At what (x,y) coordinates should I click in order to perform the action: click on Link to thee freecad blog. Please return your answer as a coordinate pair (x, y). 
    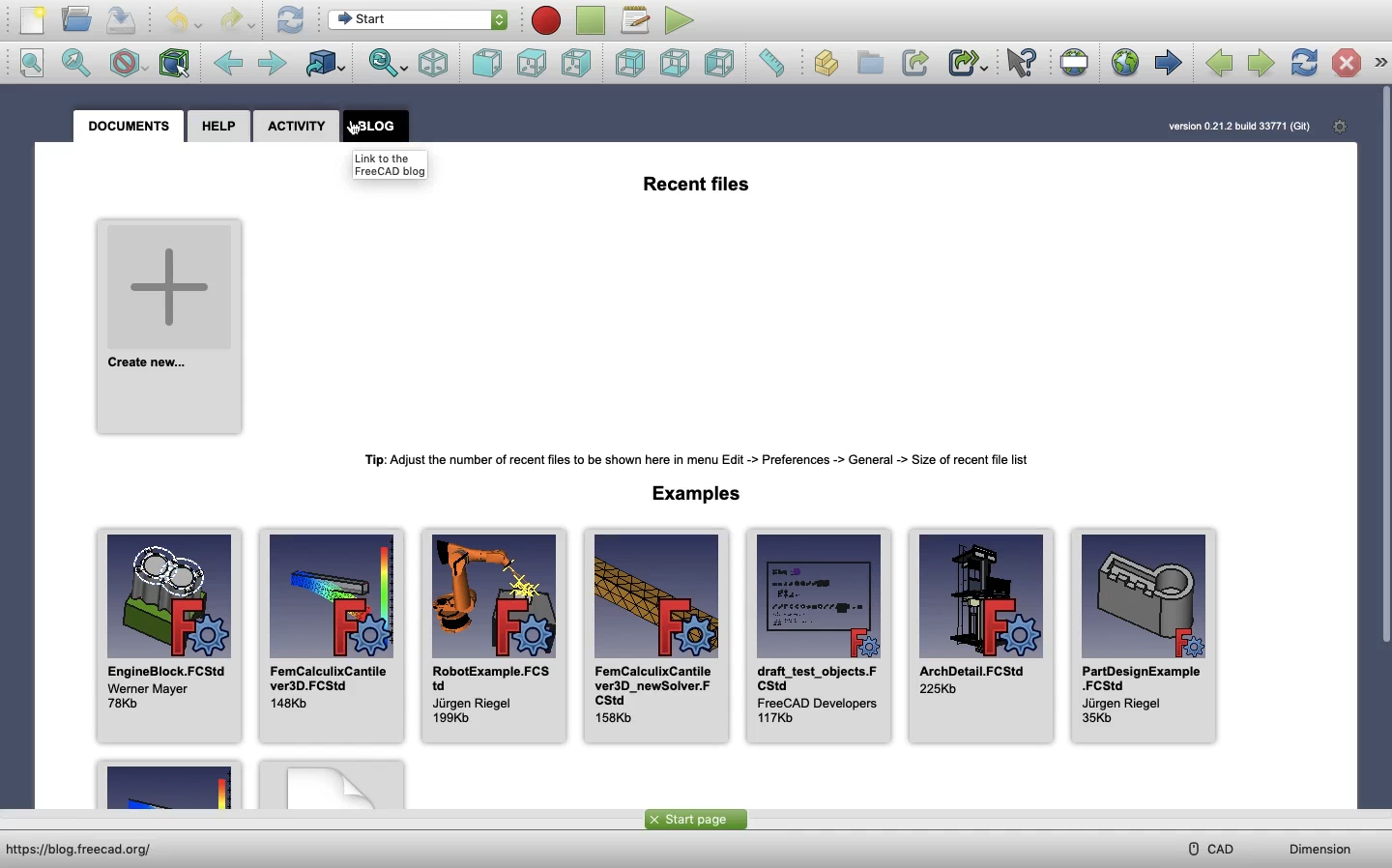
    Looking at the image, I should click on (391, 164).